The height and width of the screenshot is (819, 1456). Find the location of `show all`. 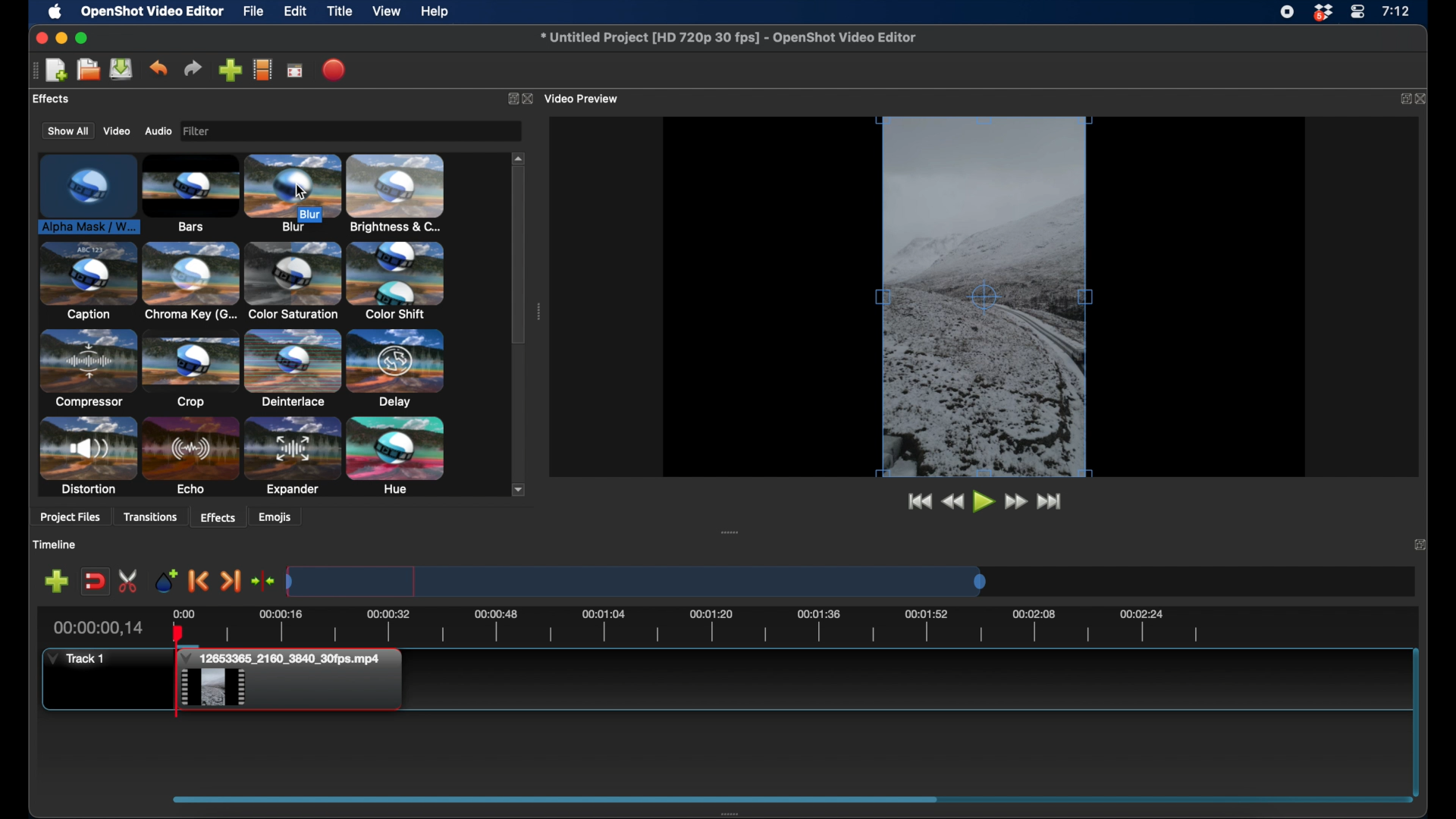

show all is located at coordinates (67, 130).